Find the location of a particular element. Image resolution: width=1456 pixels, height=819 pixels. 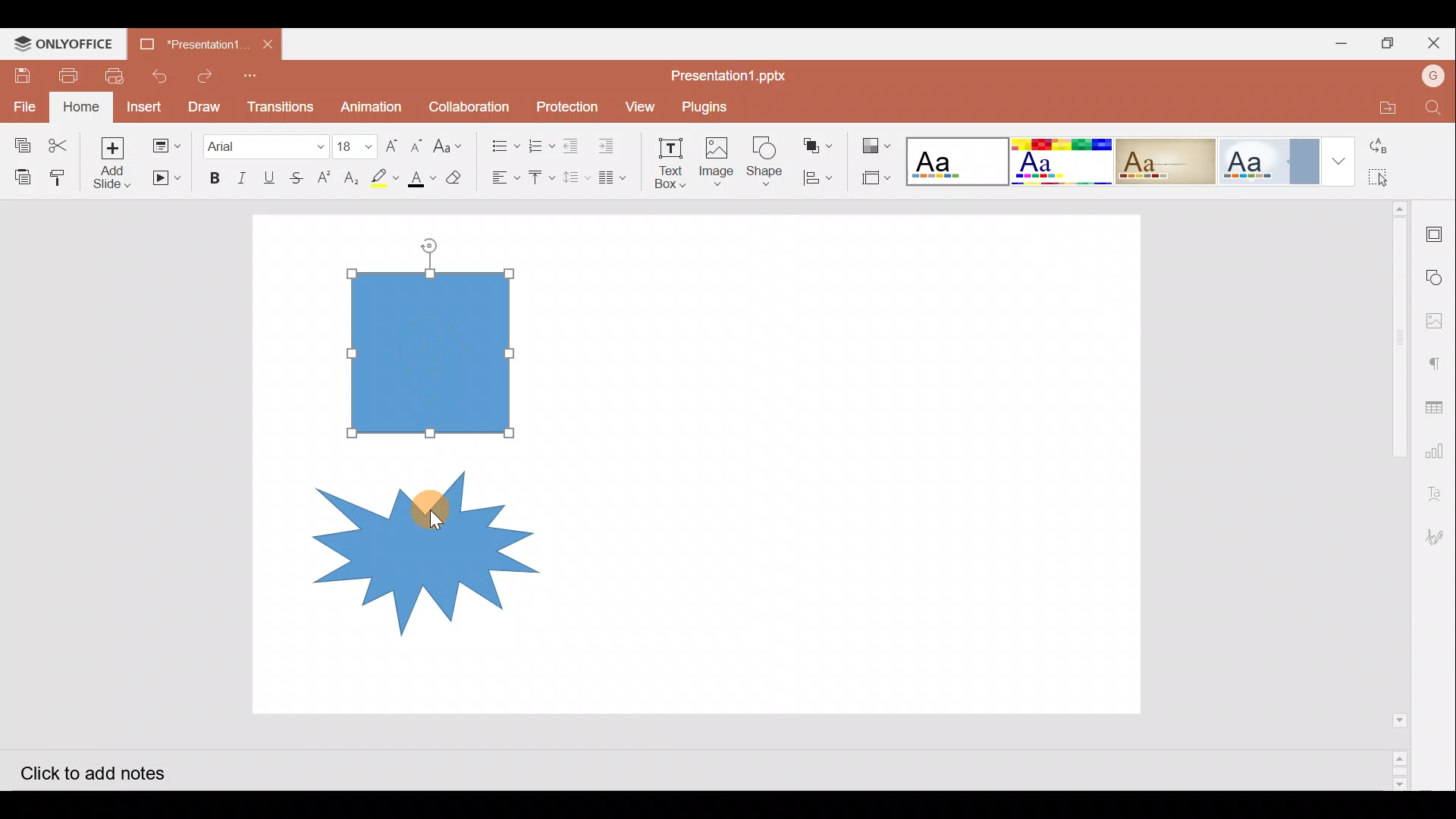

Copy style is located at coordinates (61, 175).